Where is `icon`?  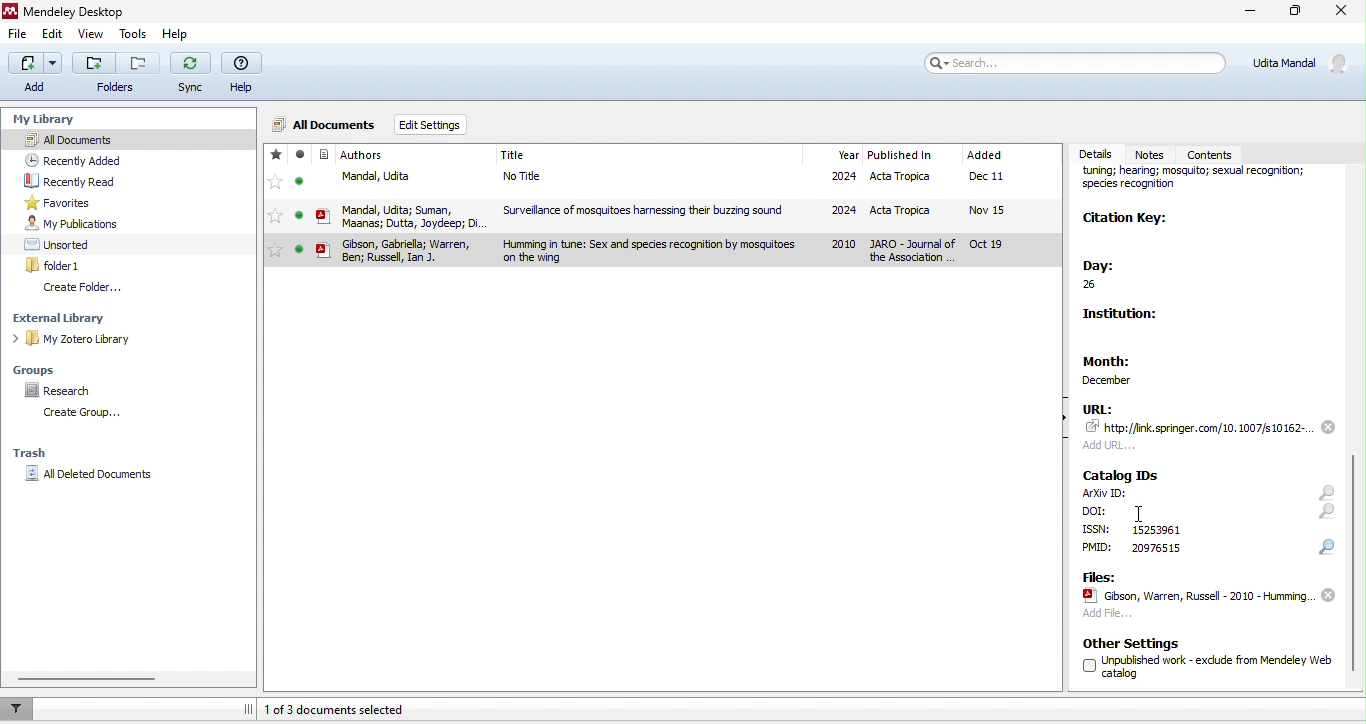 icon is located at coordinates (324, 187).